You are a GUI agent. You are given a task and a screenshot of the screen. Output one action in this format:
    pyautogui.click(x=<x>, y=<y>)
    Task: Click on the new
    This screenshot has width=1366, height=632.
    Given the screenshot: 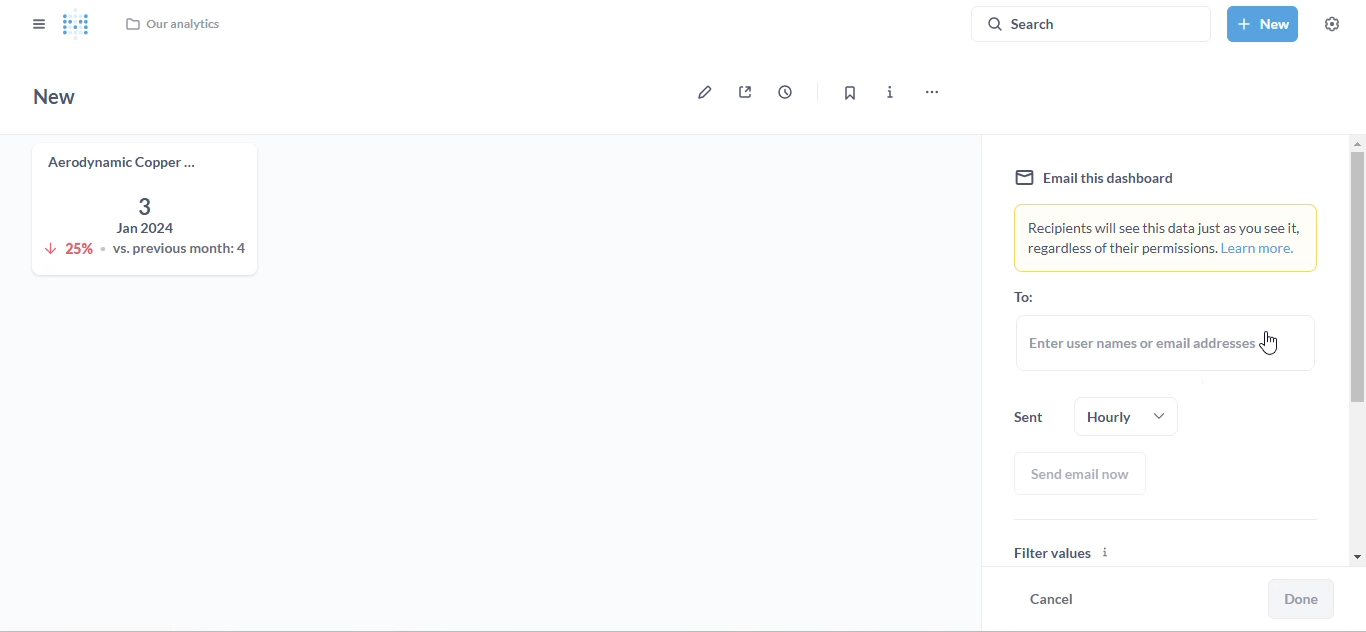 What is the action you would take?
    pyautogui.click(x=1263, y=23)
    